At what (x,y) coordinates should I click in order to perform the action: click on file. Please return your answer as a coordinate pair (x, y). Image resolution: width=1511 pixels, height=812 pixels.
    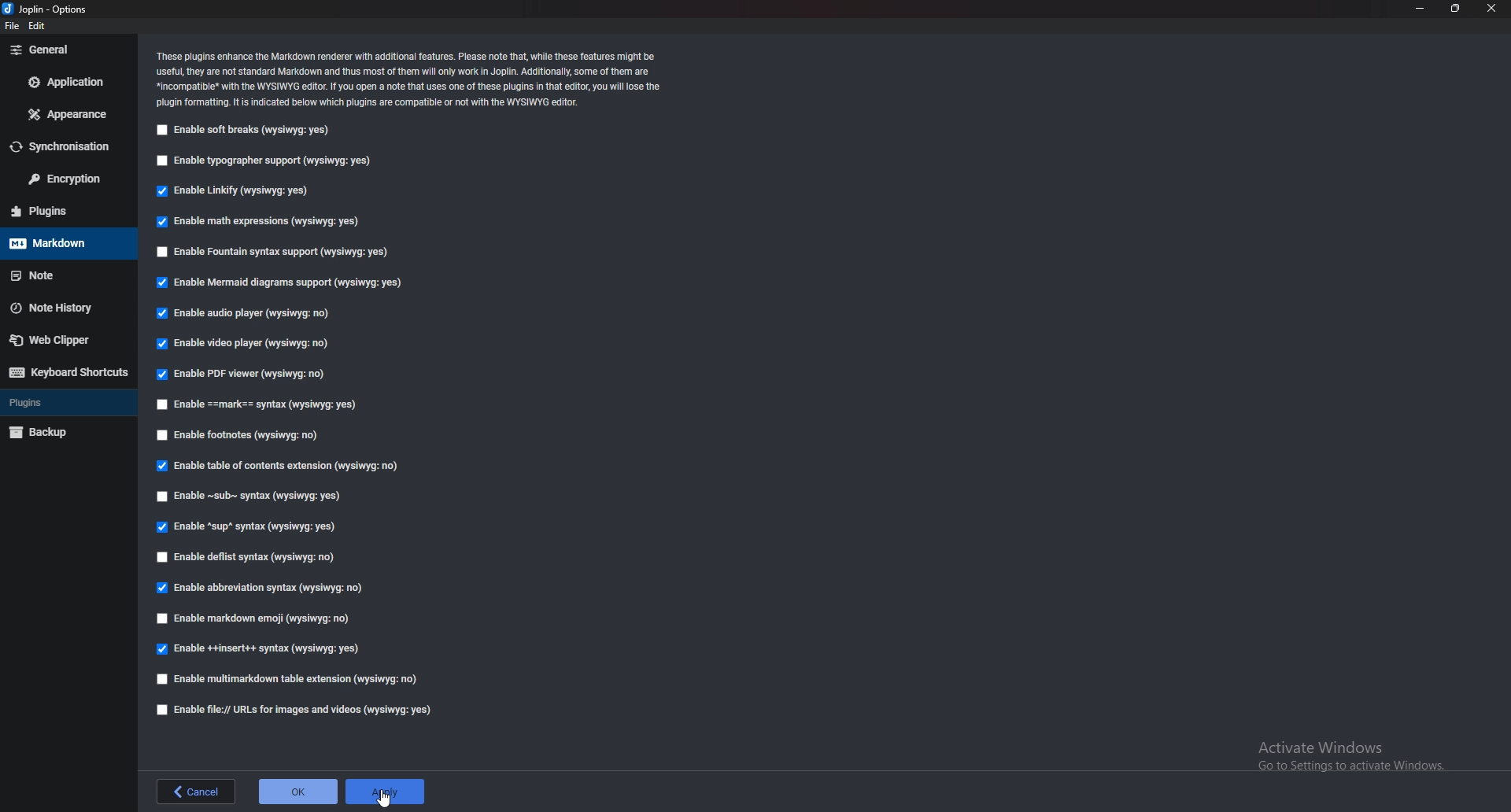
    Looking at the image, I should click on (13, 27).